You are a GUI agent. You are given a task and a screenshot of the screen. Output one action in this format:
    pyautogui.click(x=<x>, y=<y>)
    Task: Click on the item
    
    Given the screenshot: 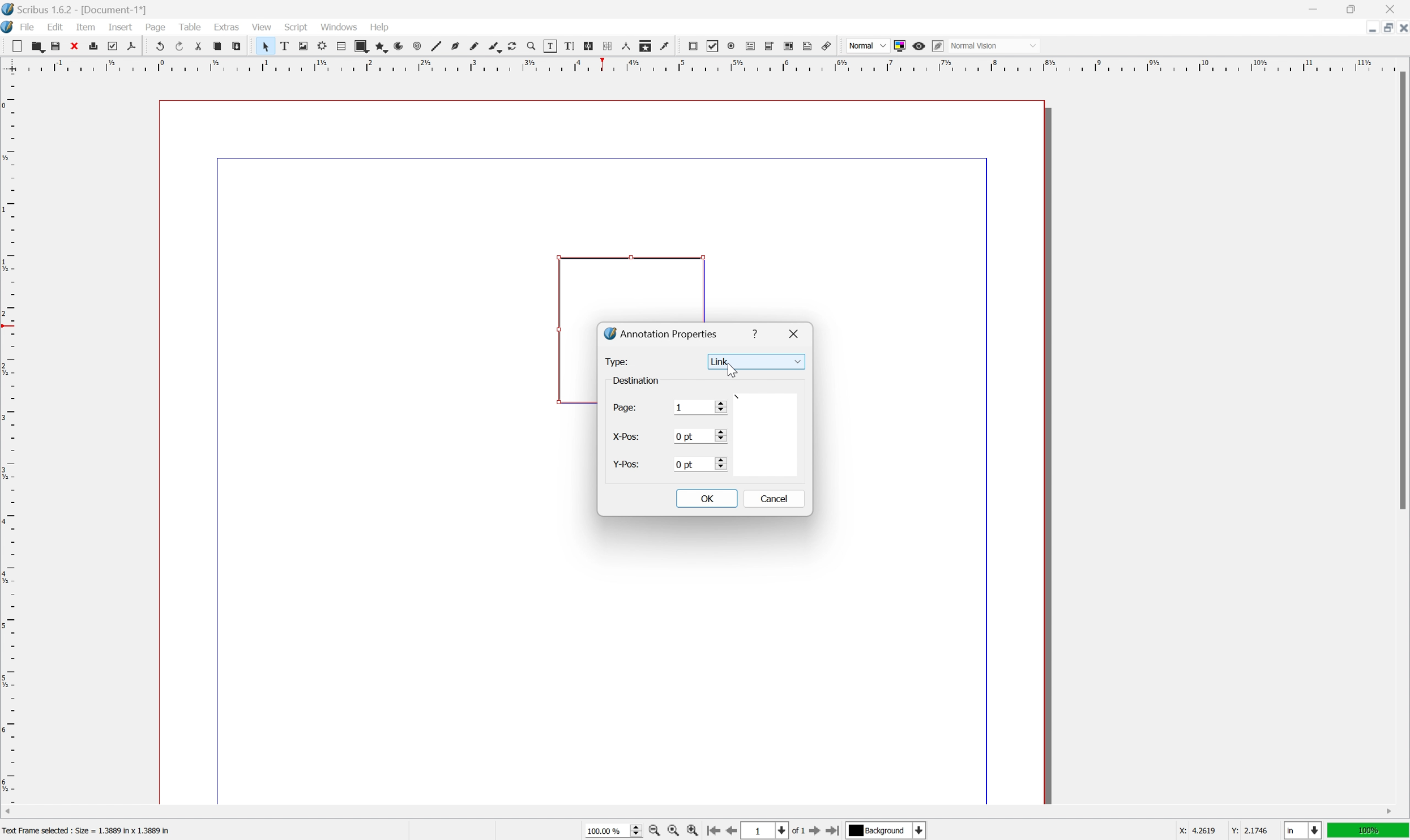 What is the action you would take?
    pyautogui.click(x=86, y=27)
    